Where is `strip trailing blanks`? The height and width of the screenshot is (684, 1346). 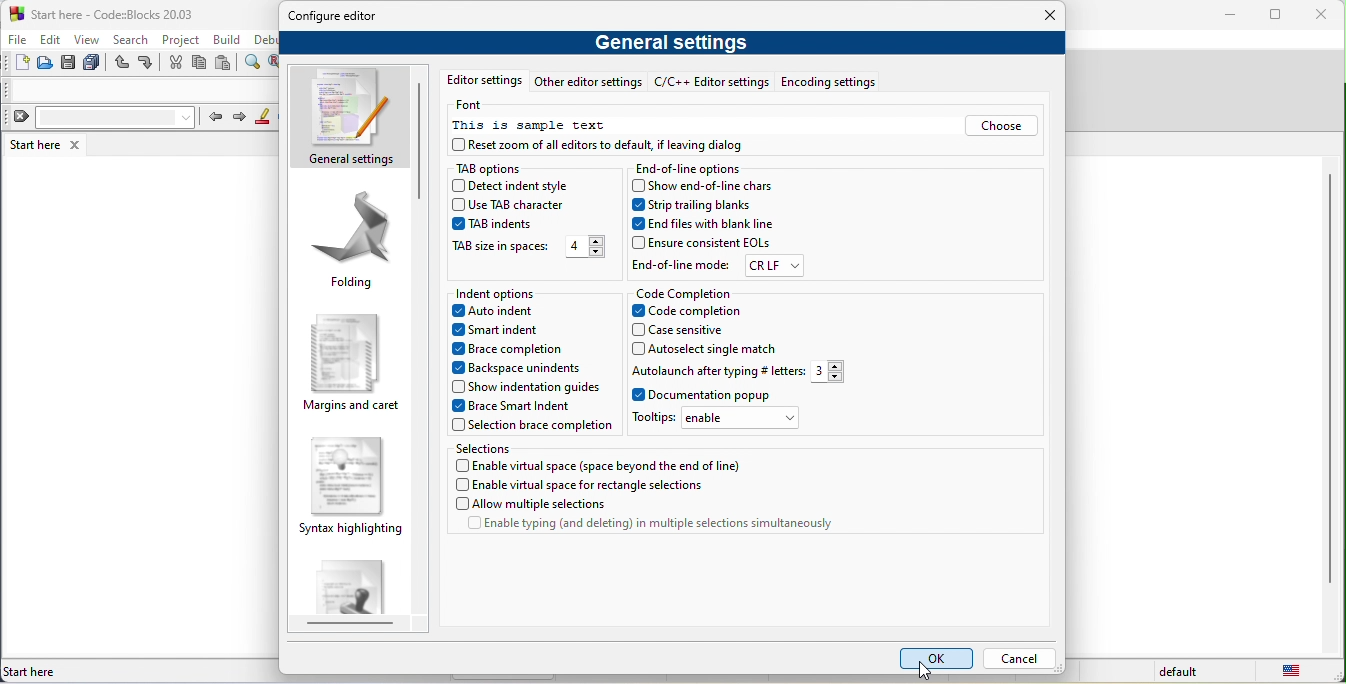 strip trailing blanks is located at coordinates (713, 205).